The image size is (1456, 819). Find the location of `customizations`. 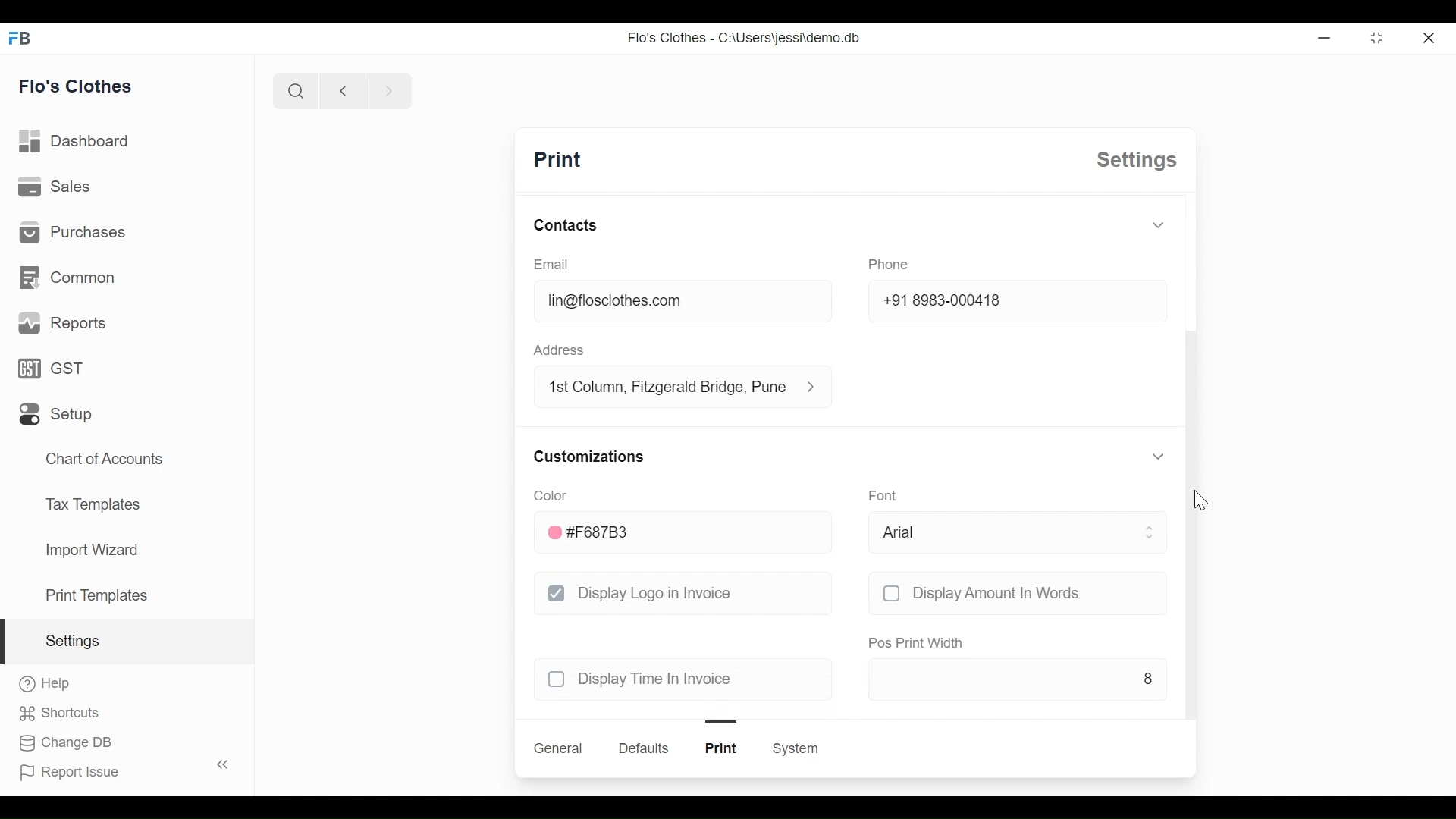

customizations is located at coordinates (589, 457).